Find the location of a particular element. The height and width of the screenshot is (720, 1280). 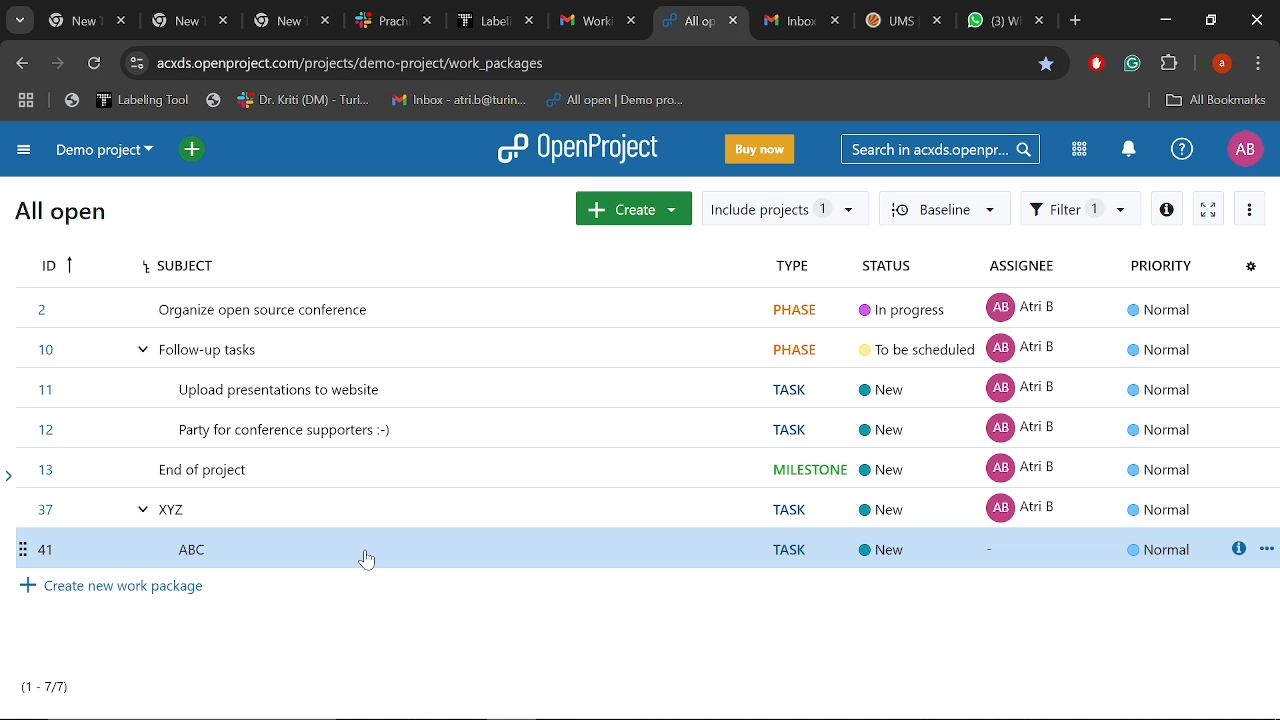

Task count is located at coordinates (44, 688).